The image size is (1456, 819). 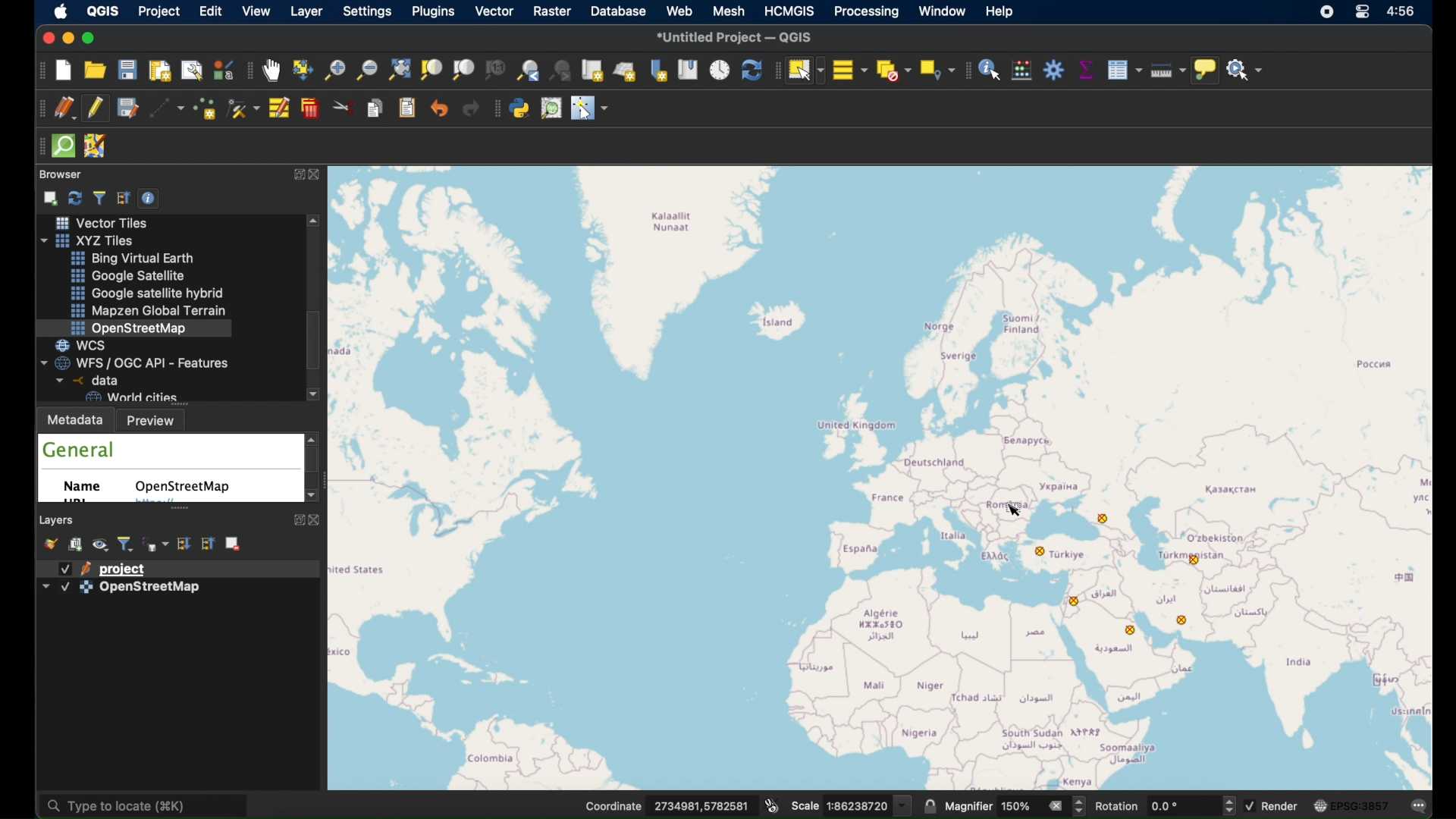 I want to click on modify attributes, so click(x=281, y=109).